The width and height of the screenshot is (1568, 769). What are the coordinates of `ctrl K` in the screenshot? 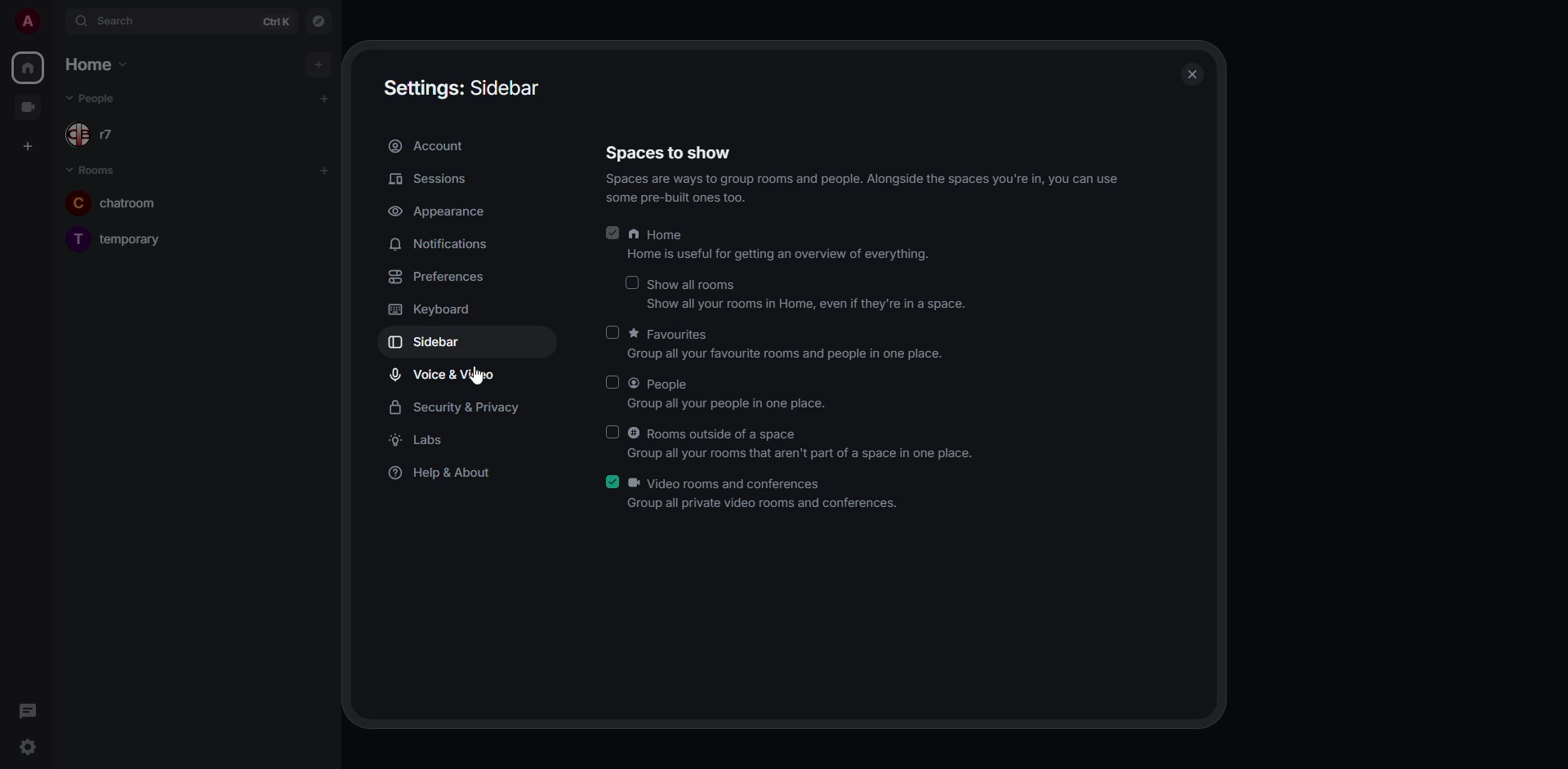 It's located at (278, 21).